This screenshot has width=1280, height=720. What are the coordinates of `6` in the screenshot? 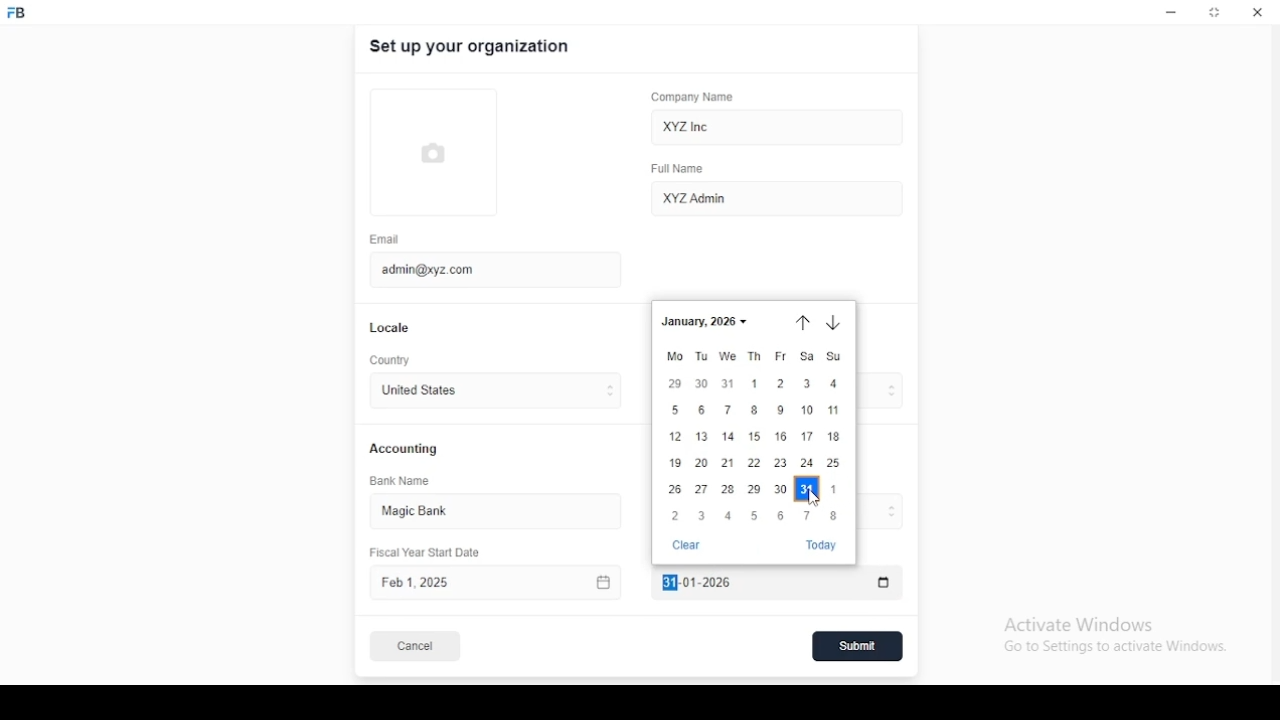 It's located at (780, 515).